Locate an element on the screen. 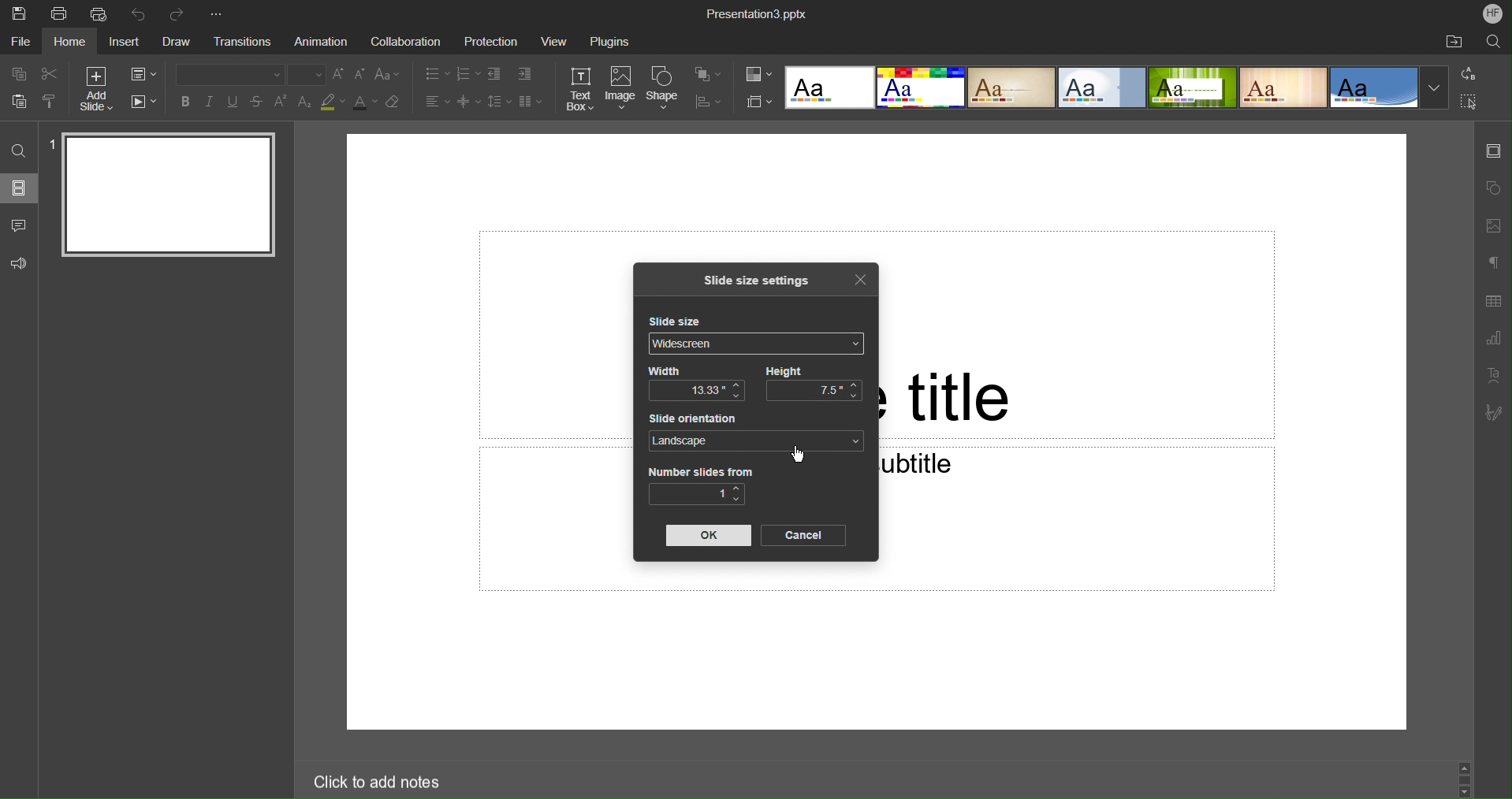 The image size is (1512, 799). Change Slide Layout is located at coordinates (145, 74).